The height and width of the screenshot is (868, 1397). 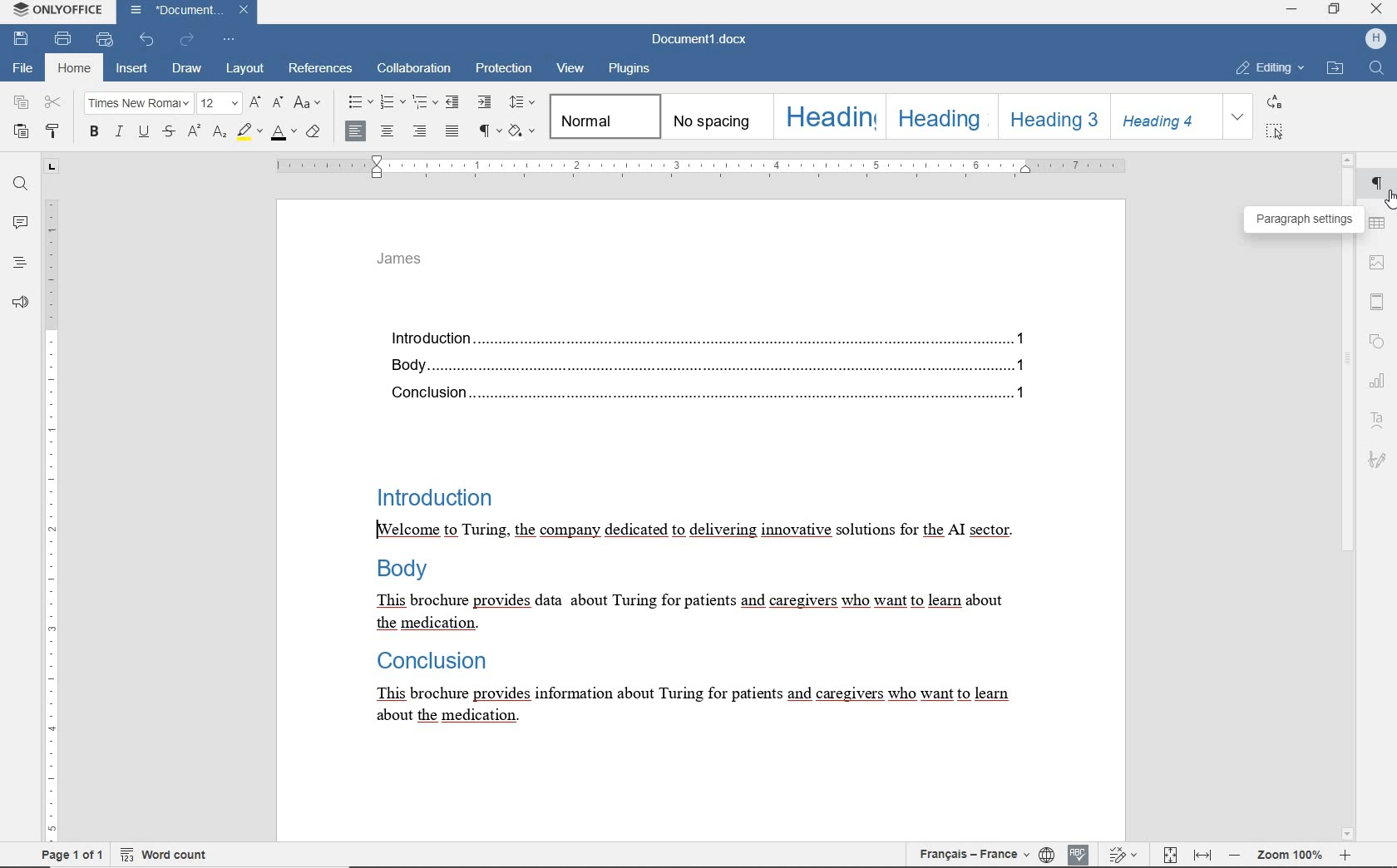 I want to click on heading 1, so click(x=828, y=117).